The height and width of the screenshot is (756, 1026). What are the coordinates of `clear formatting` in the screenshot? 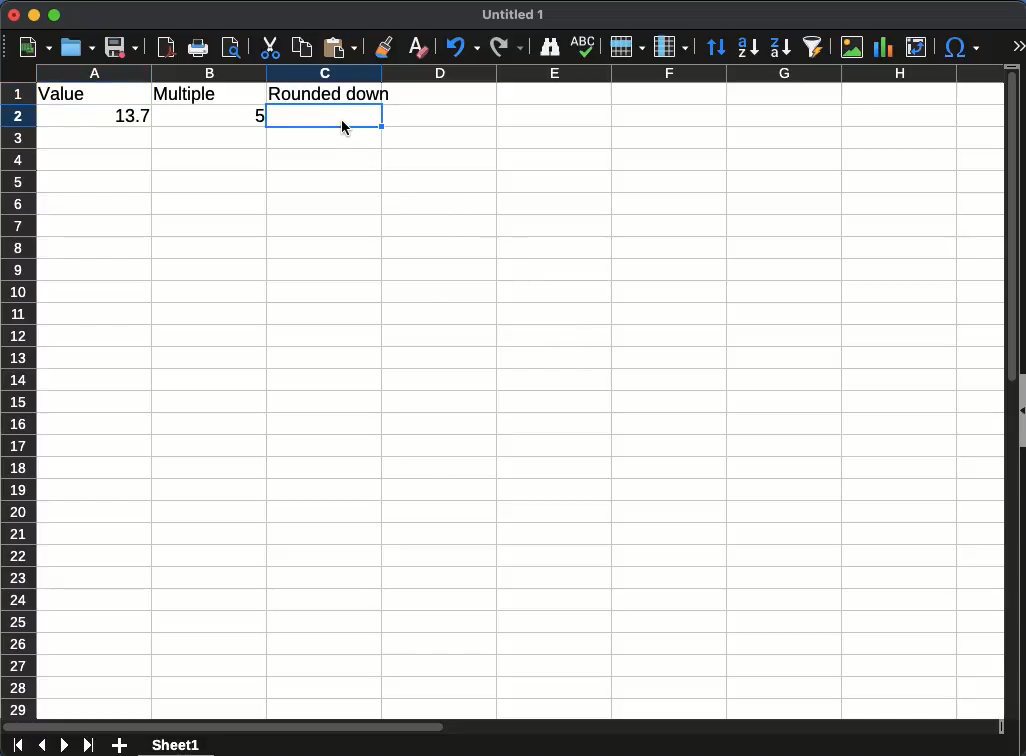 It's located at (421, 47).